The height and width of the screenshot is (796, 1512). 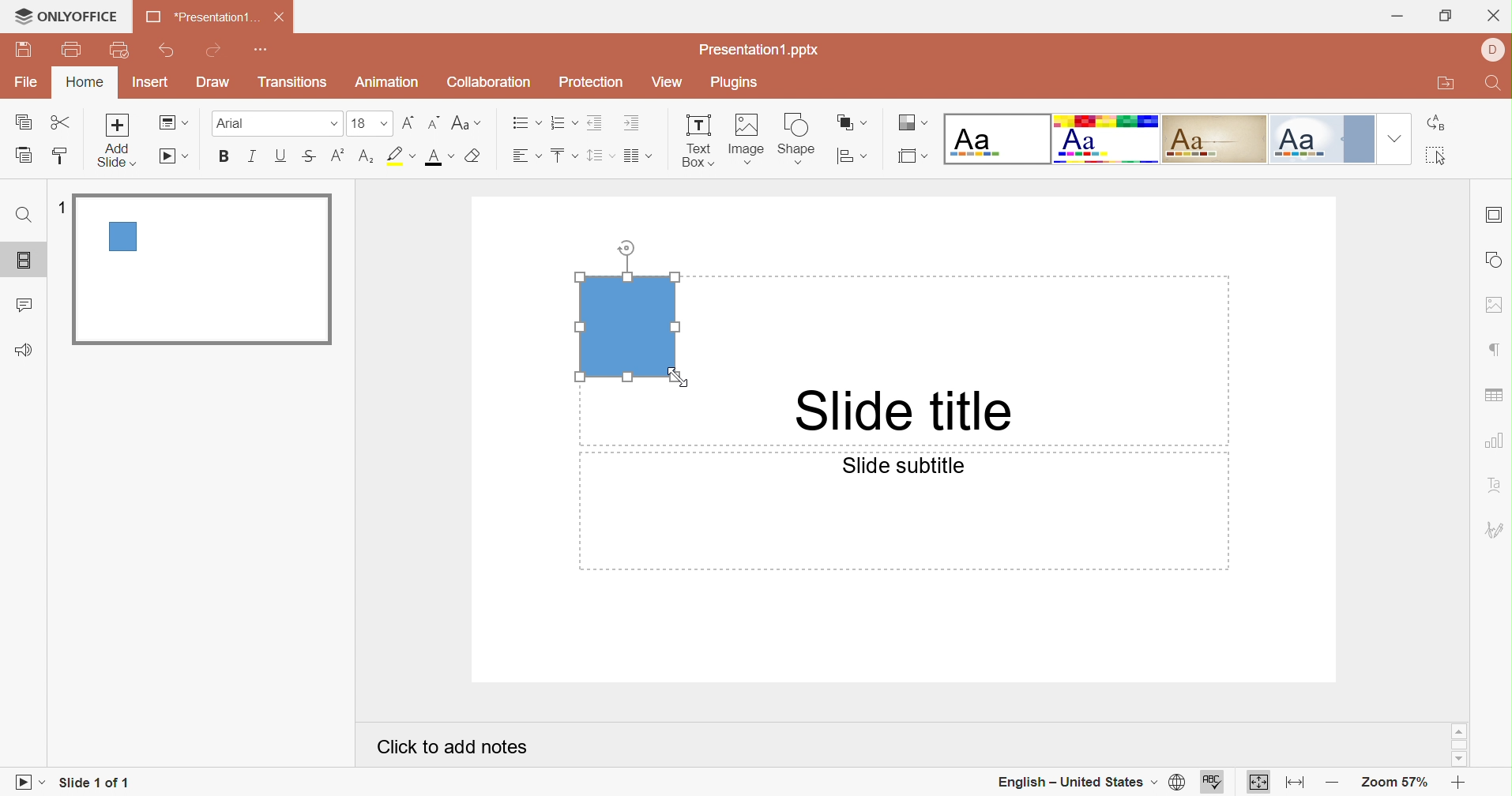 I want to click on Animation, so click(x=389, y=82).